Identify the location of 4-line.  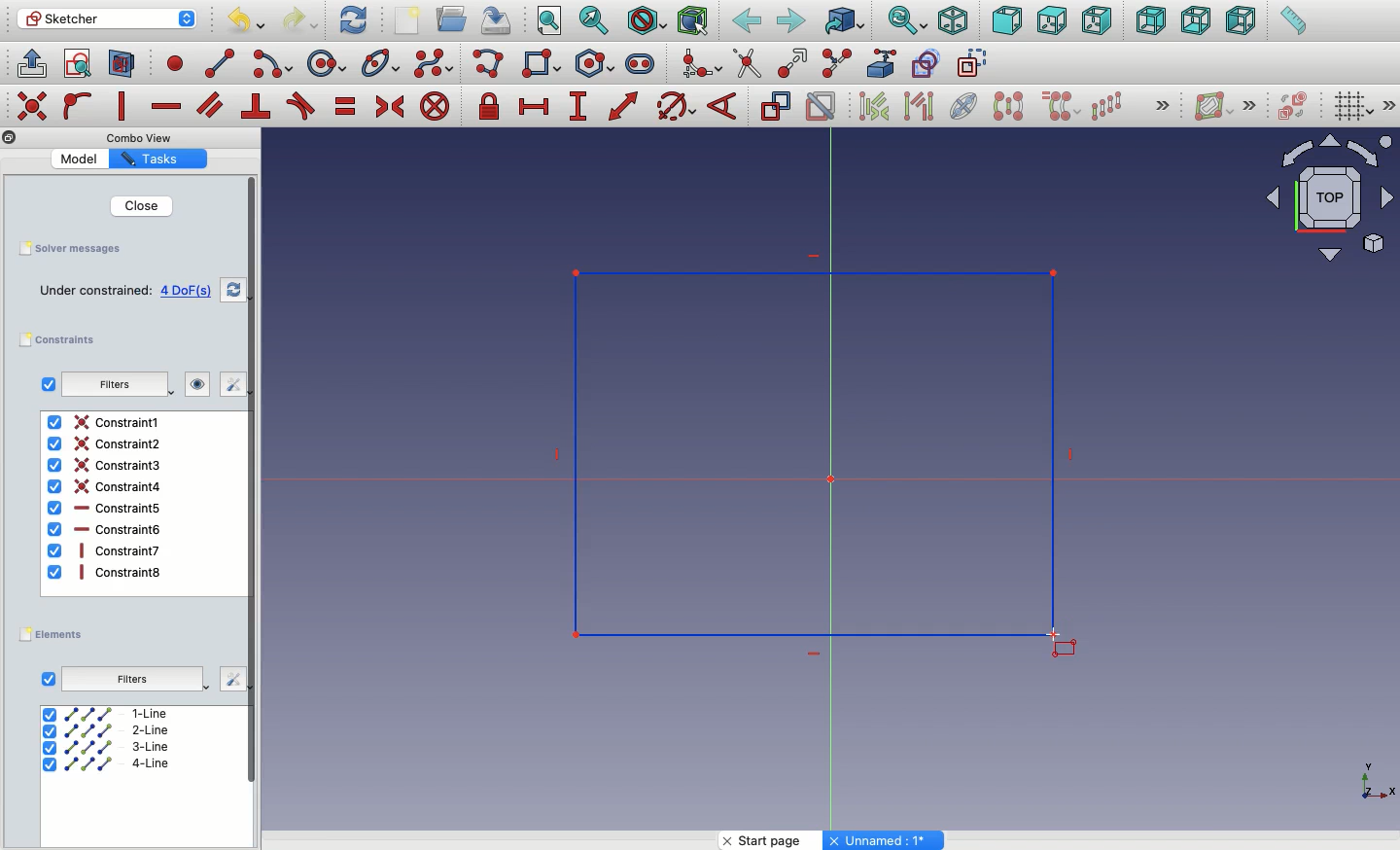
(107, 763).